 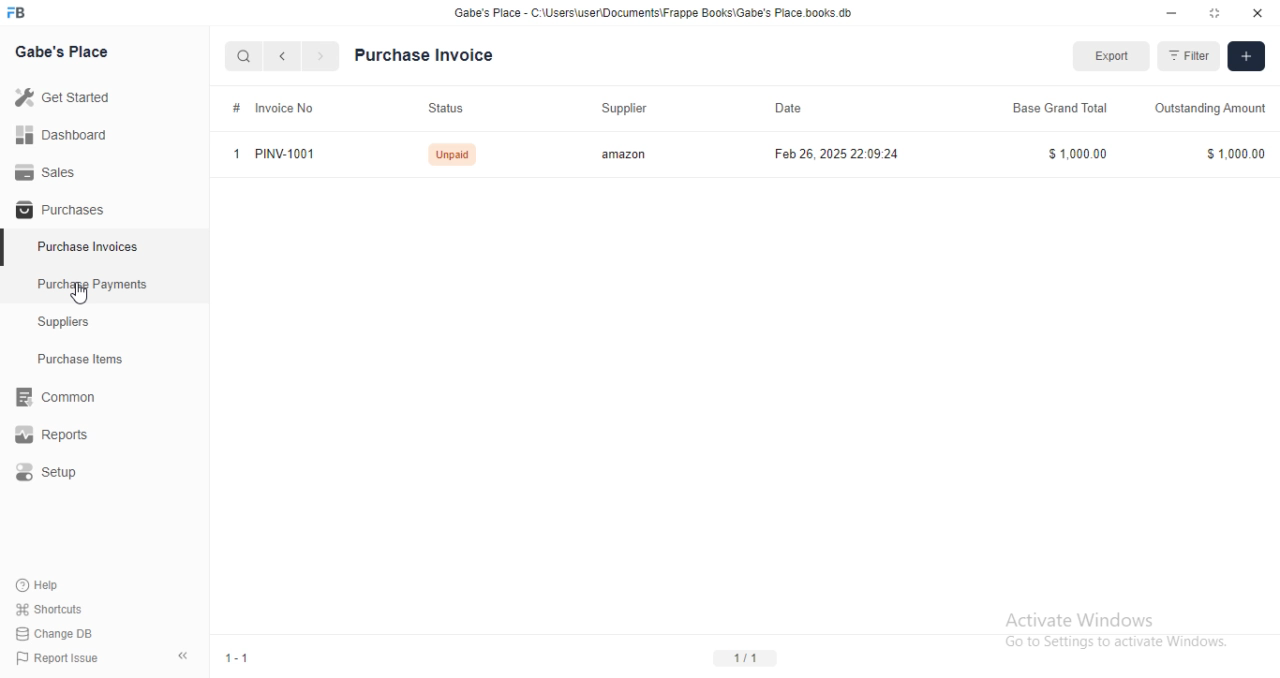 I want to click on Gabe's Place, so click(x=66, y=53).